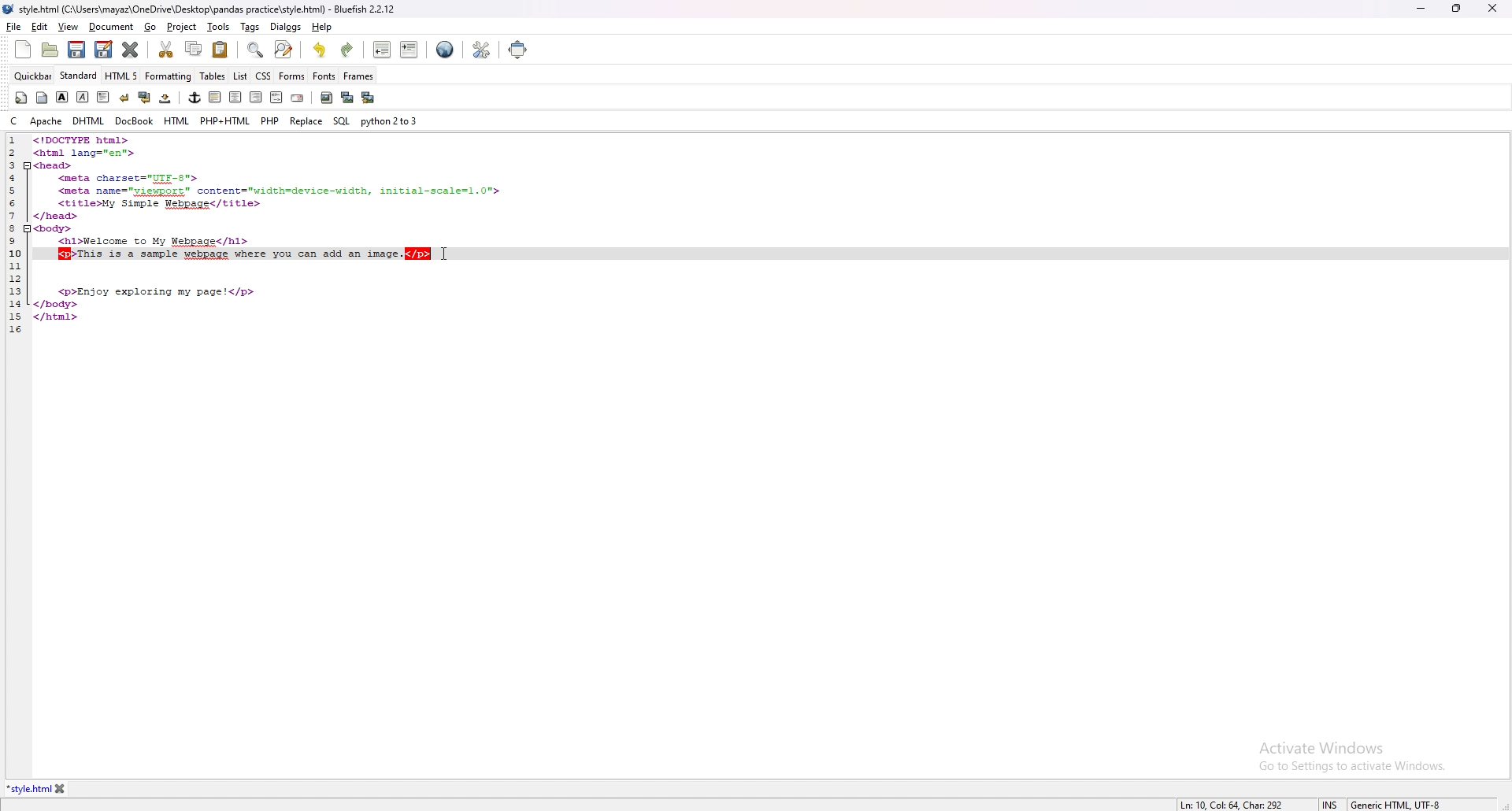  What do you see at coordinates (42, 98) in the screenshot?
I see `body` at bounding box center [42, 98].